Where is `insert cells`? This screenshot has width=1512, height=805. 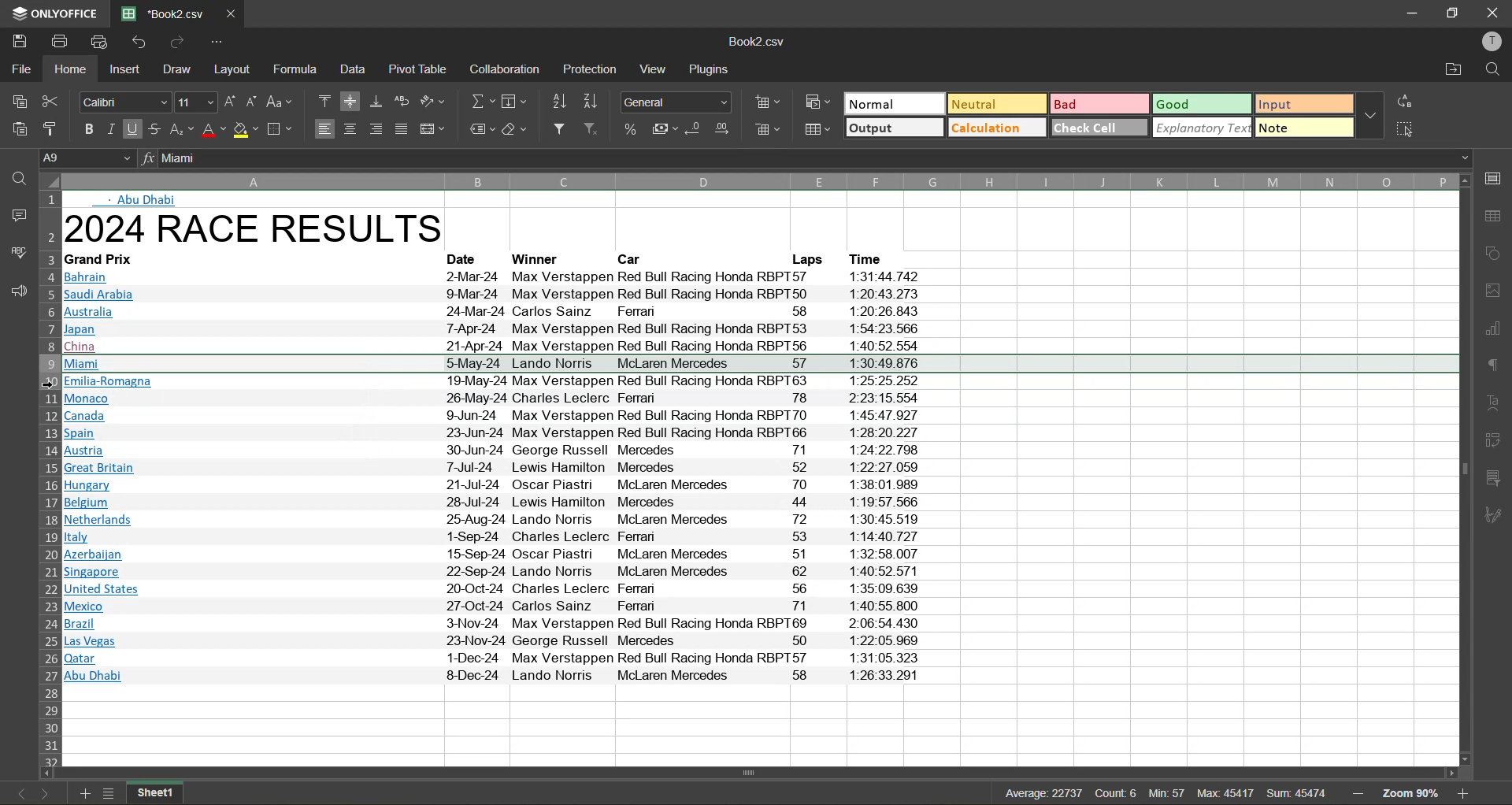
insert cells is located at coordinates (765, 103).